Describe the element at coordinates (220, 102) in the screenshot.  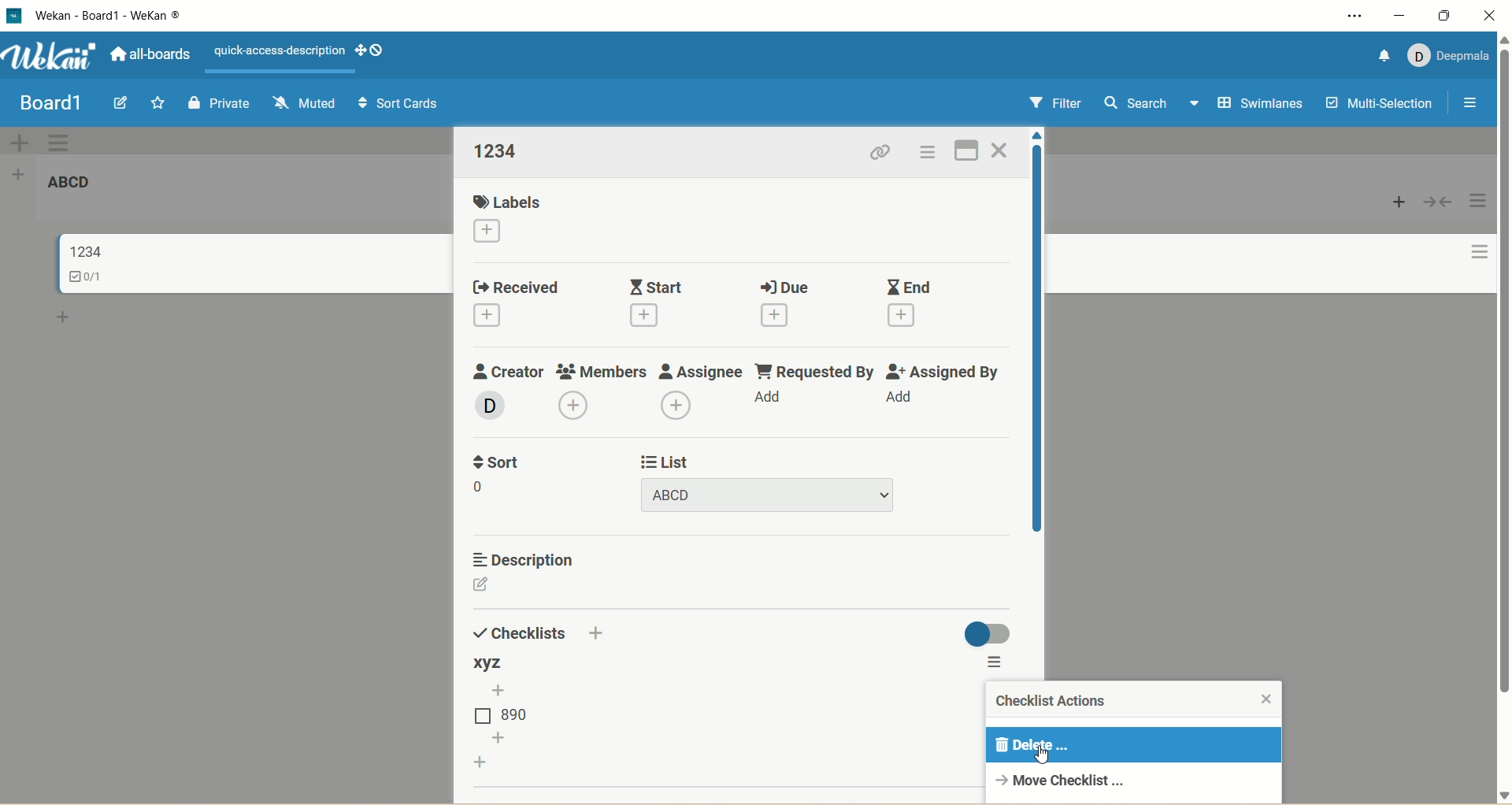
I see `private` at that location.